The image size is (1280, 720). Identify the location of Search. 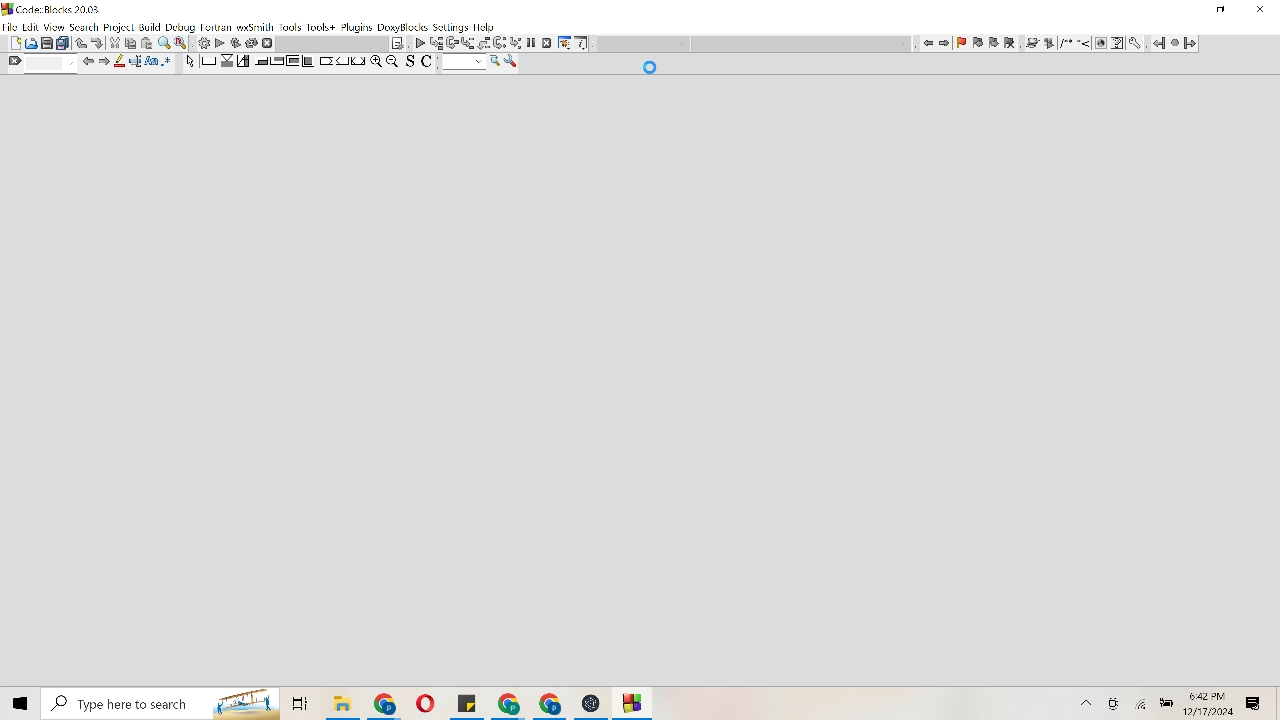
(472, 63).